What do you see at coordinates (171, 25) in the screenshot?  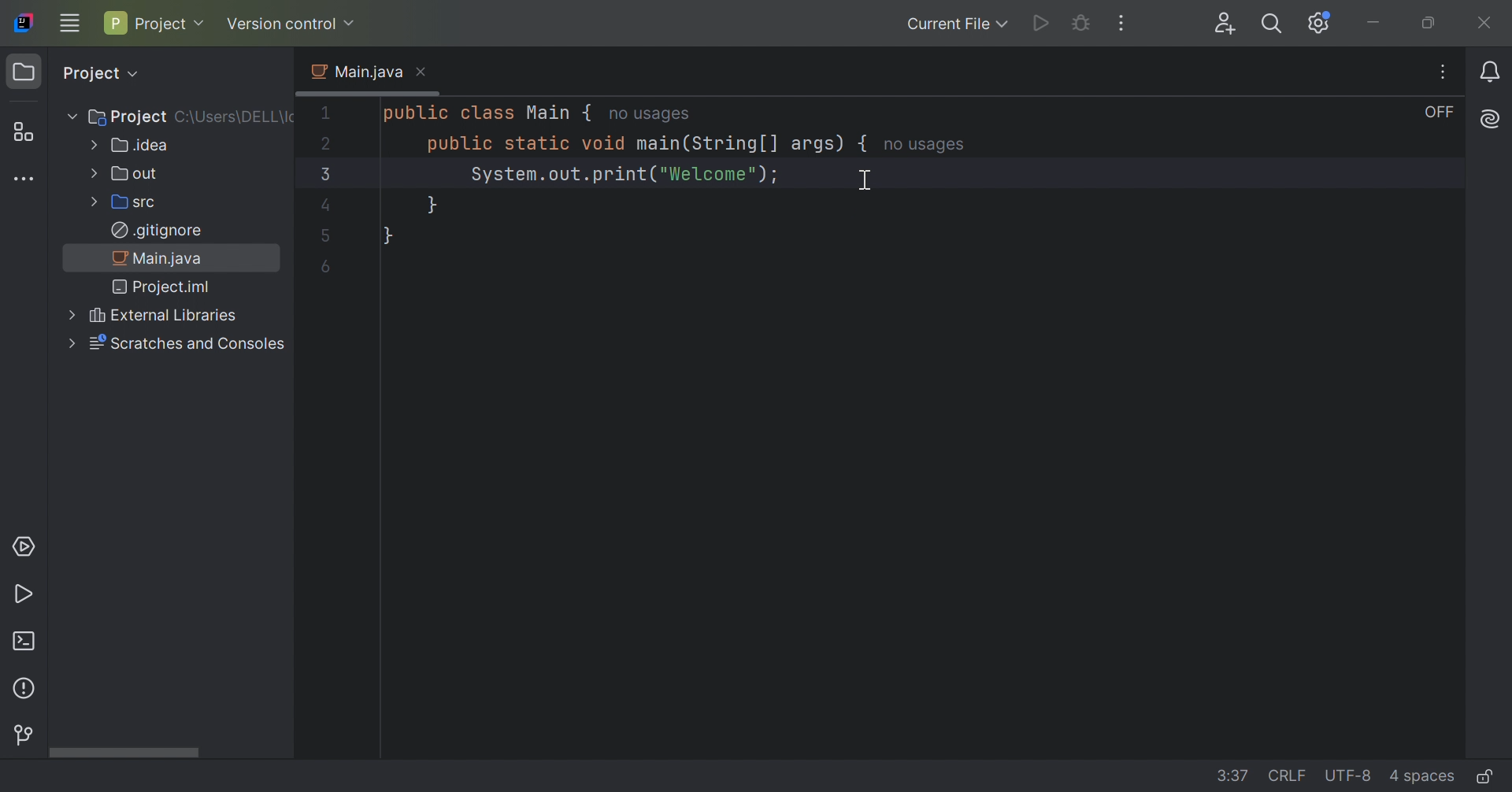 I see `Project` at bounding box center [171, 25].